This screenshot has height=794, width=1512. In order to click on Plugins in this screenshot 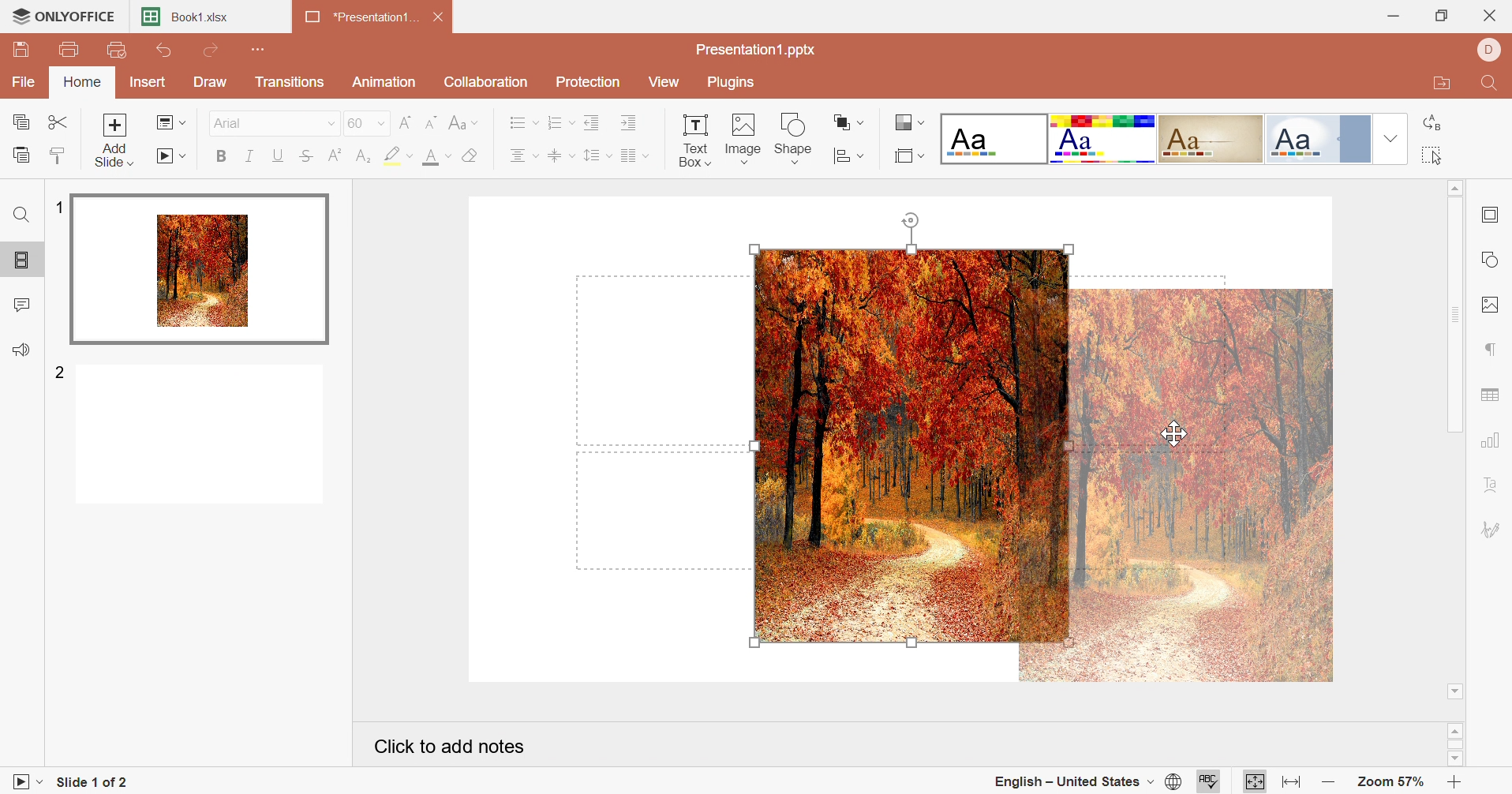, I will do `click(735, 83)`.